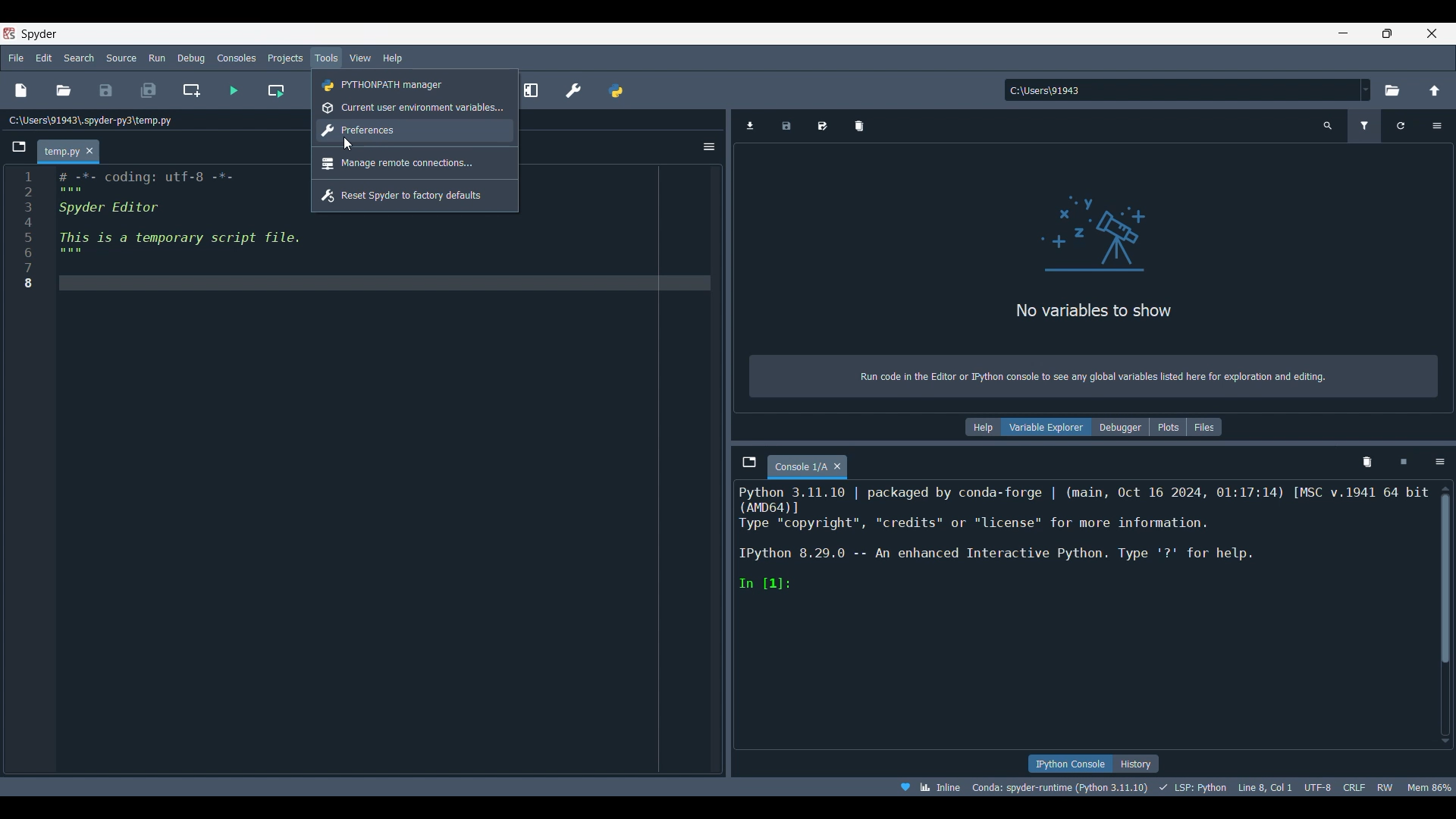  Describe the element at coordinates (39, 33) in the screenshot. I see `Software name` at that location.